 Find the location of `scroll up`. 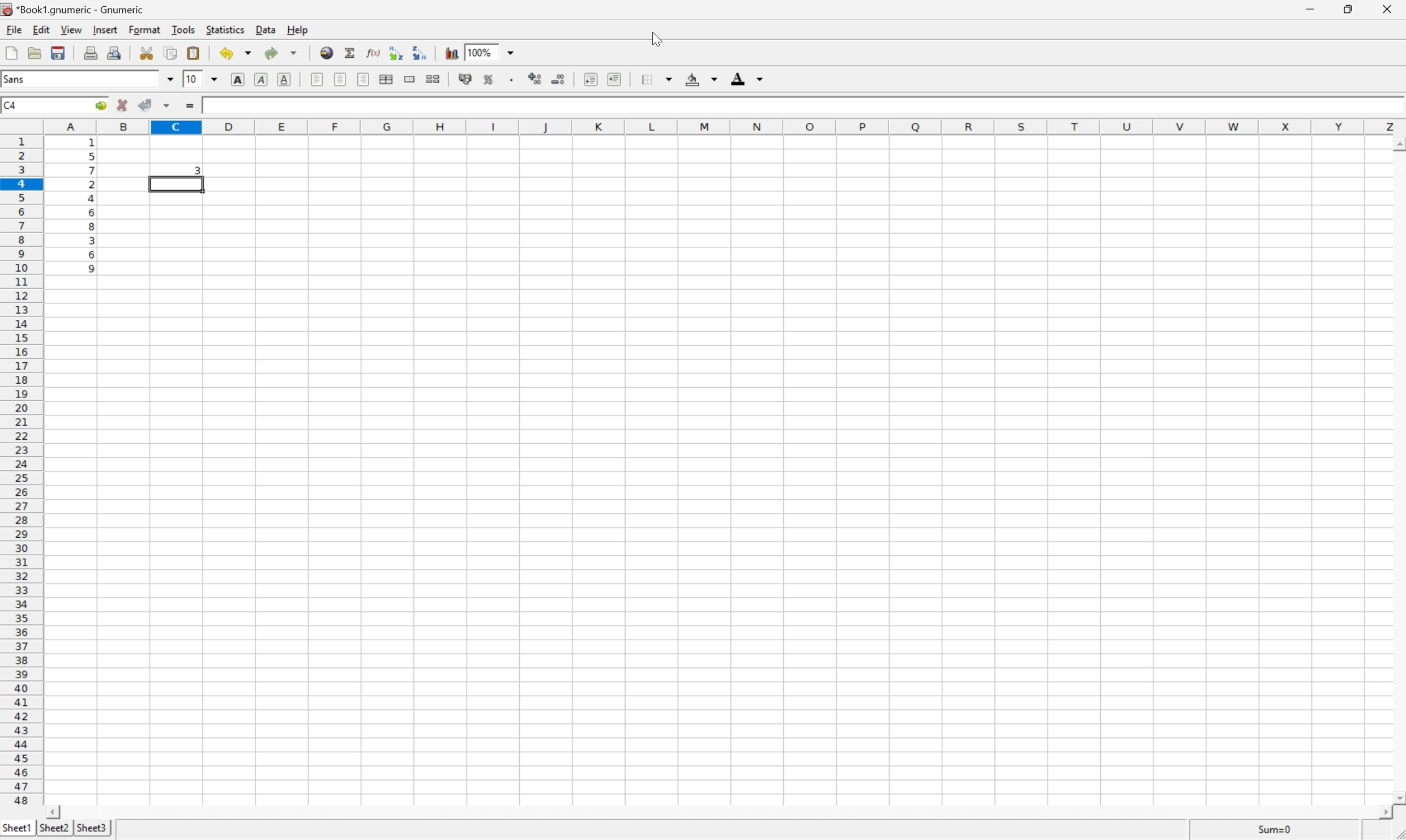

scroll up is located at coordinates (1397, 142).